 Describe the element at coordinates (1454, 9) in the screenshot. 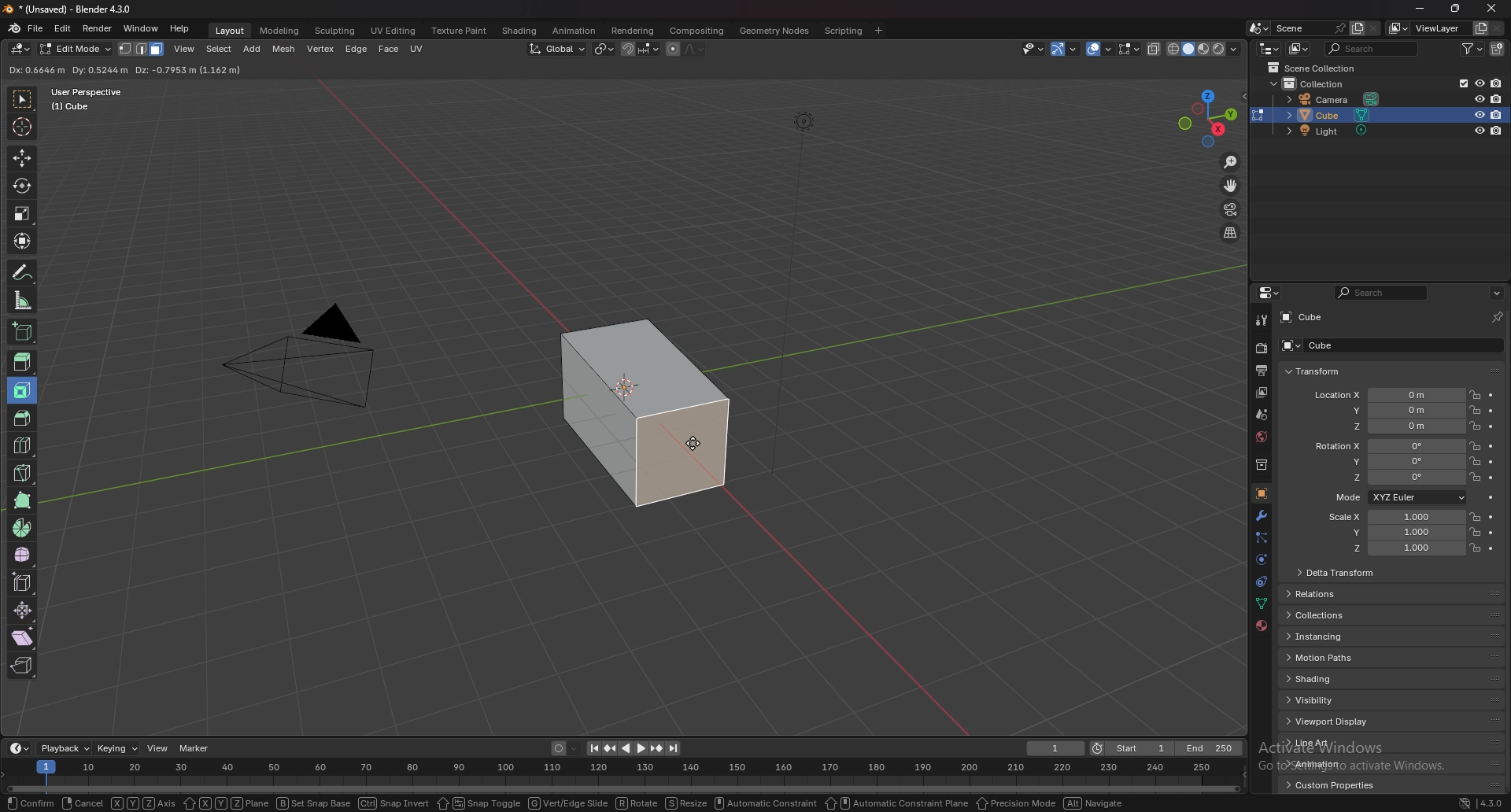

I see `resize` at that location.